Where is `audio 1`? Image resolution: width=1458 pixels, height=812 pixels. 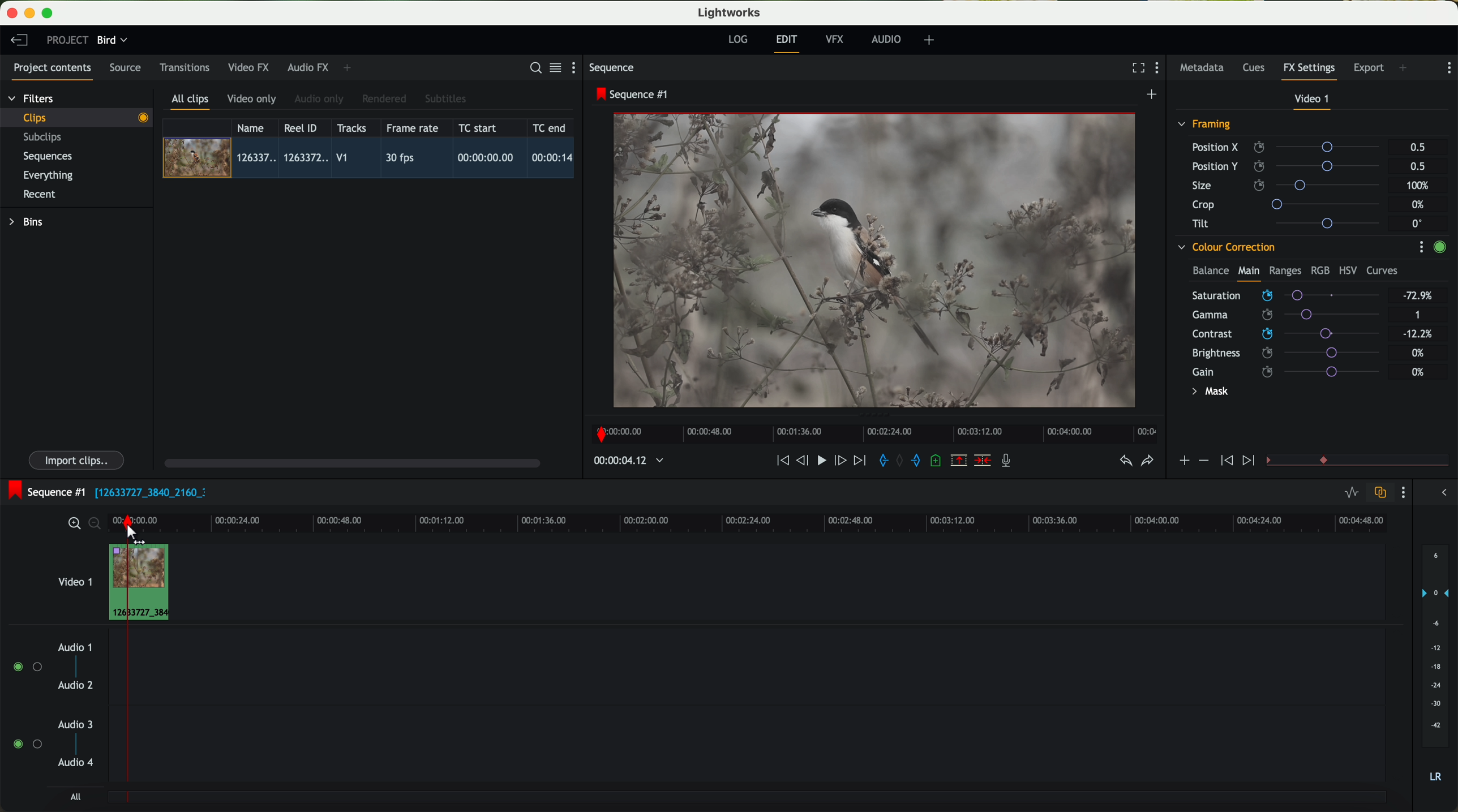 audio 1 is located at coordinates (75, 647).